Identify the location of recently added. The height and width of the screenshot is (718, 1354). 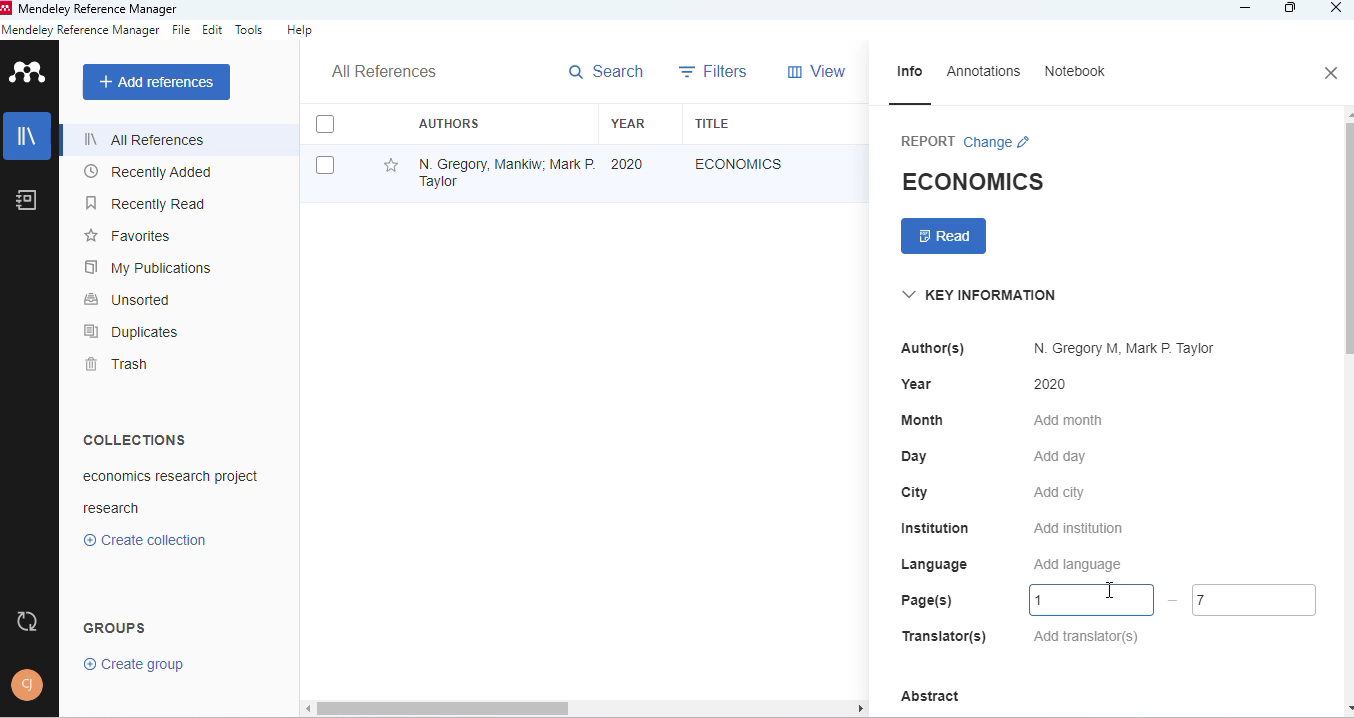
(146, 172).